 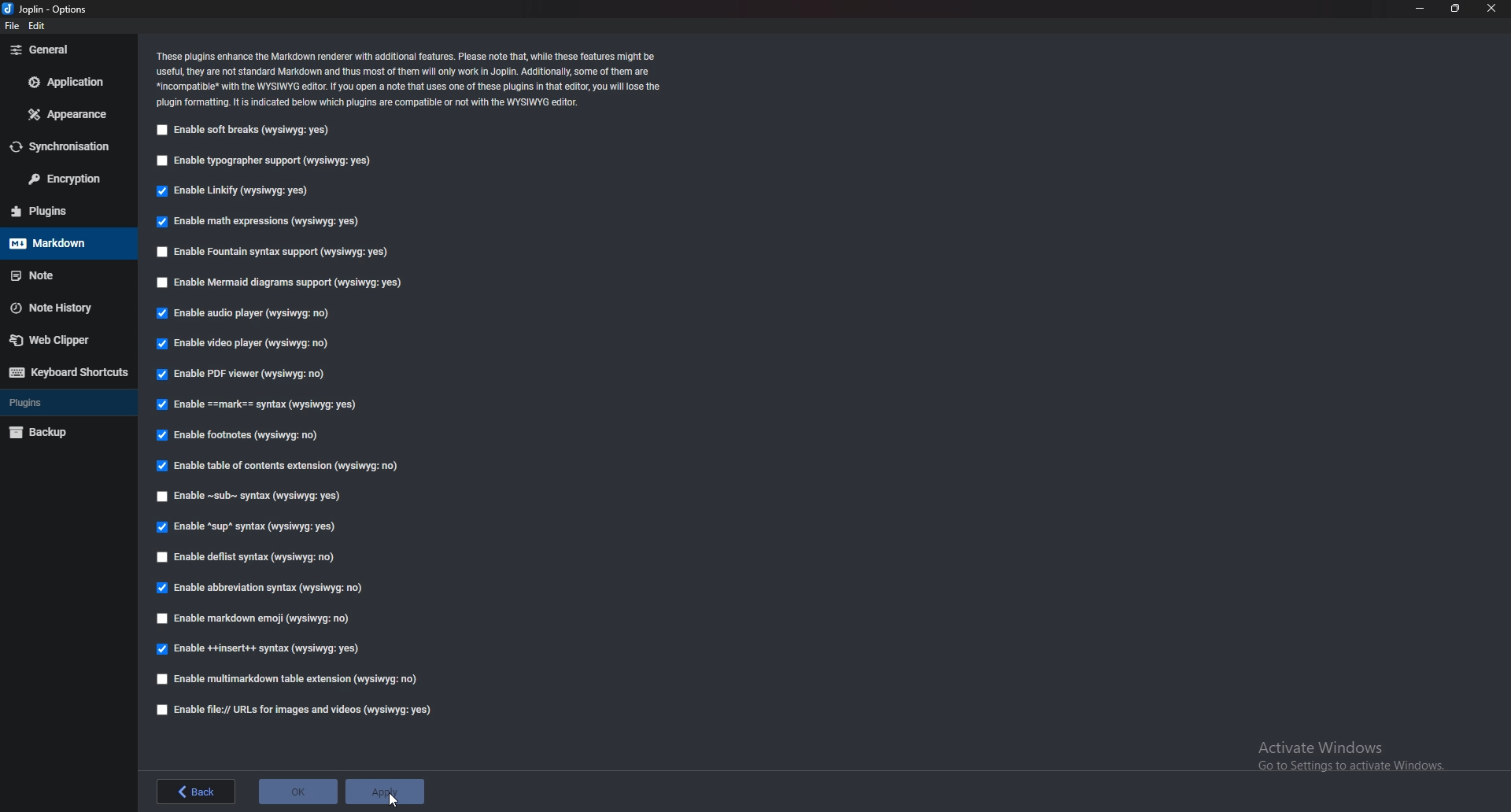 I want to click on Mark down, so click(x=63, y=242).